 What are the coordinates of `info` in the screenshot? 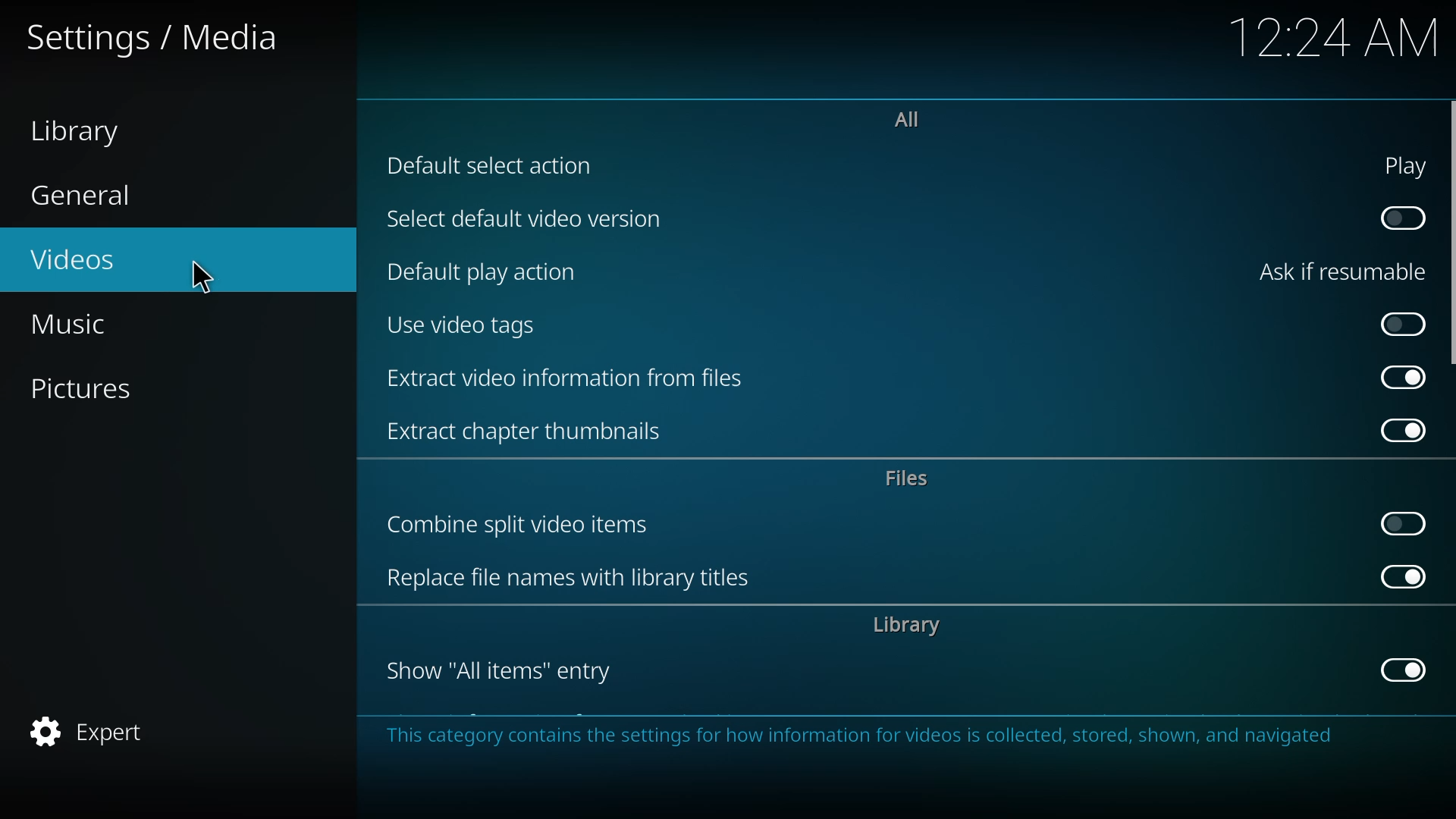 It's located at (871, 739).